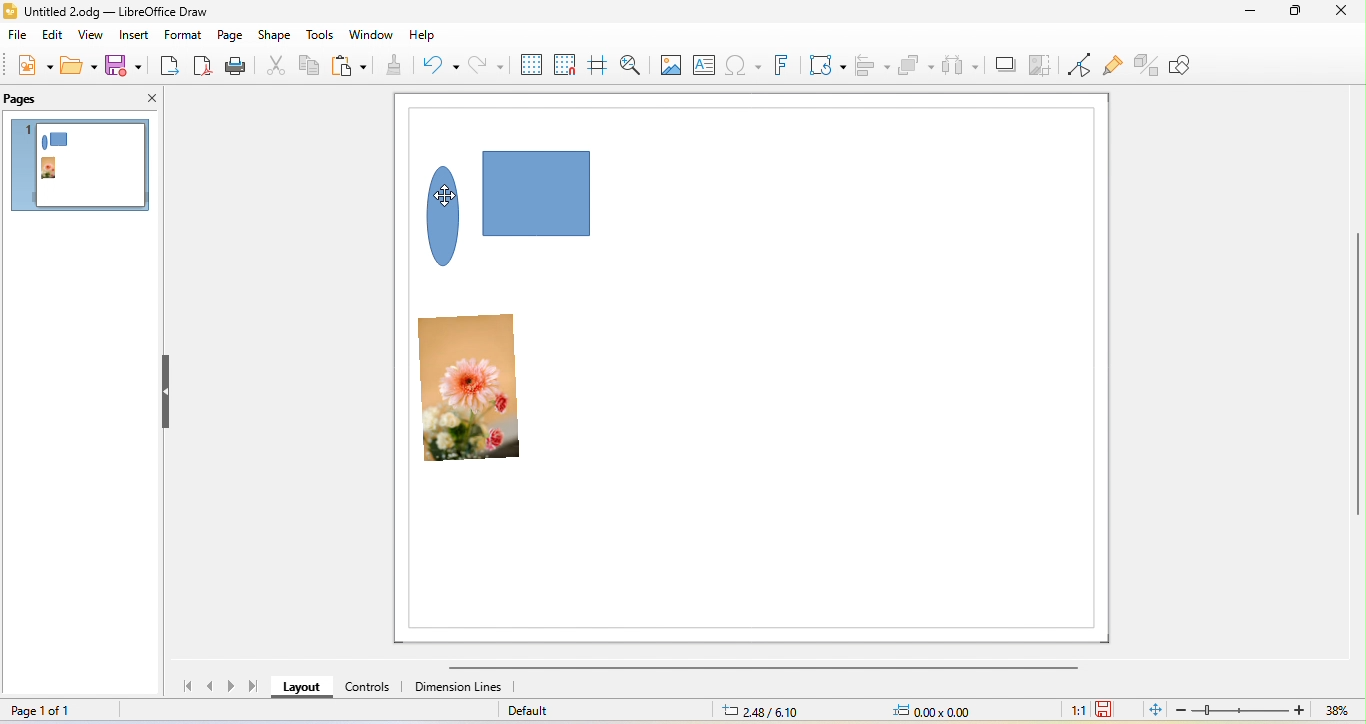  I want to click on zoom and pan, so click(637, 61).